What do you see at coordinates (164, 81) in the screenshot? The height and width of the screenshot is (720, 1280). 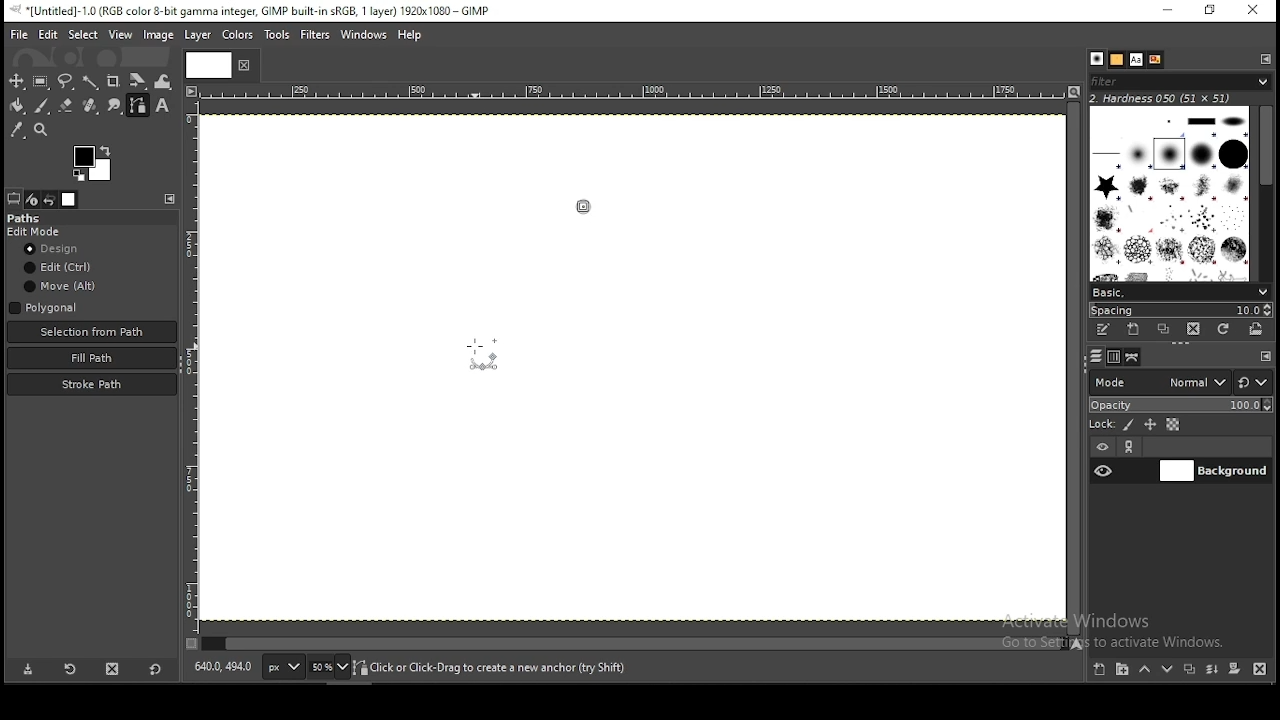 I see `warp transform` at bounding box center [164, 81].